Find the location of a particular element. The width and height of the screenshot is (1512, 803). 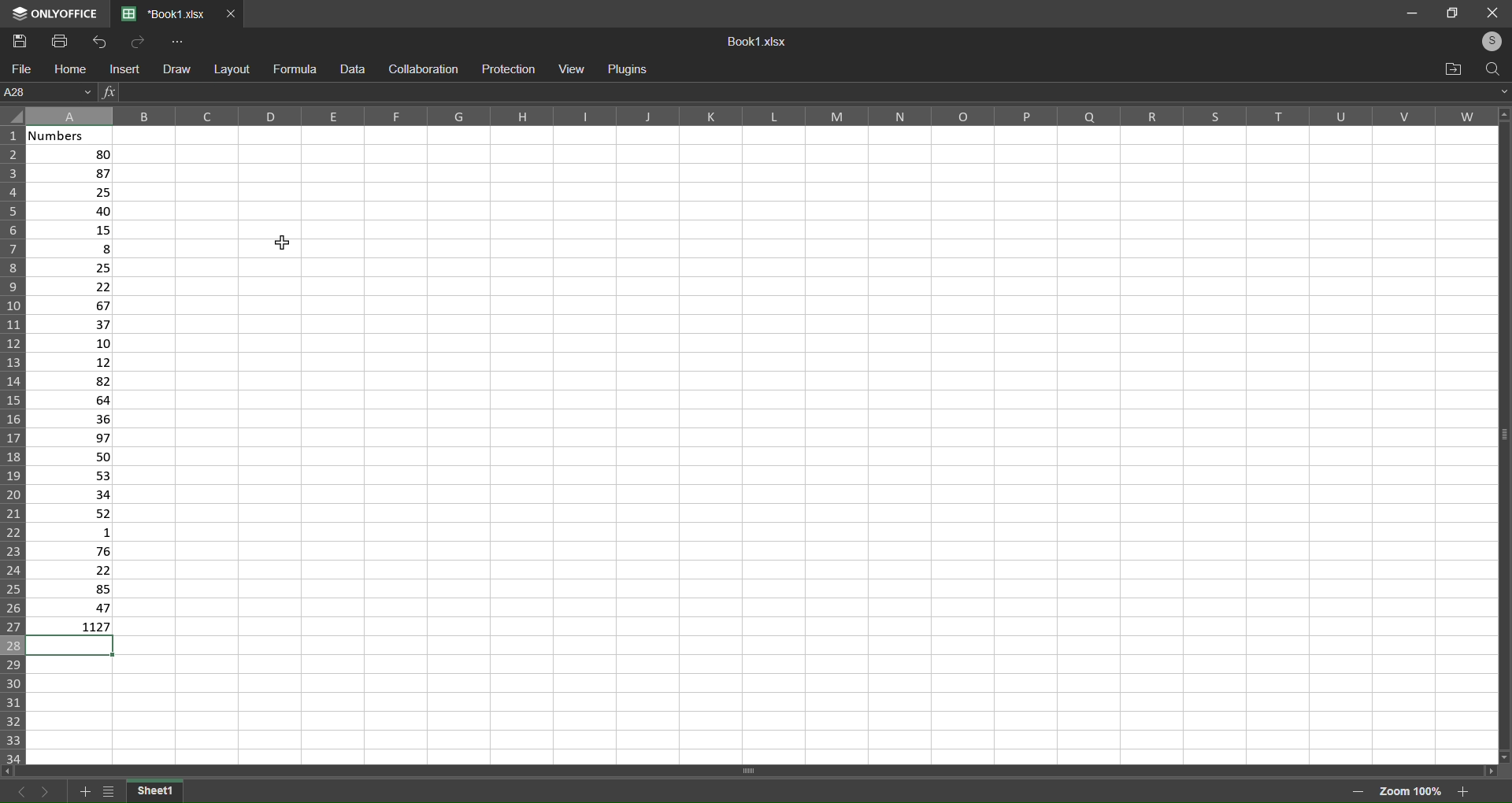

*Book1.xlsx is located at coordinates (165, 14).